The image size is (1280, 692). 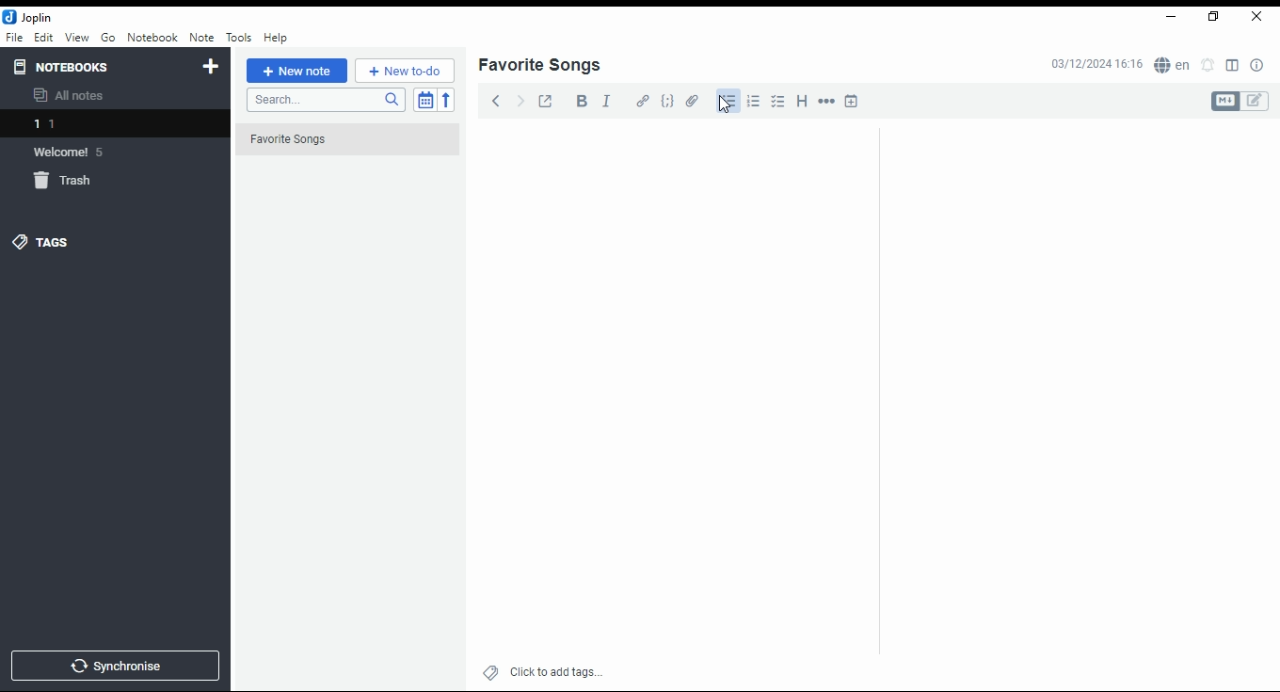 I want to click on notebooks, so click(x=97, y=66).